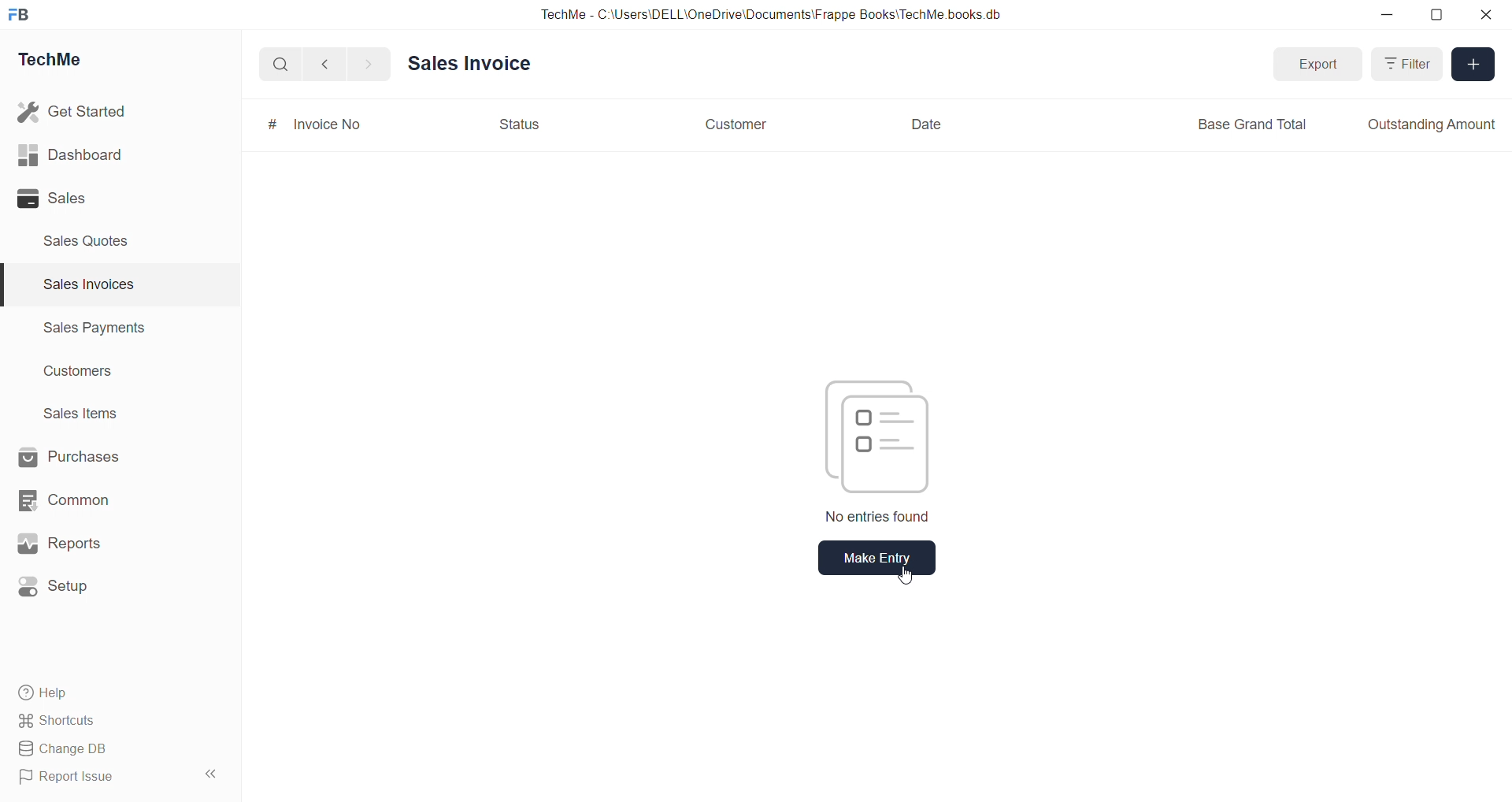 This screenshot has height=802, width=1512. What do you see at coordinates (1318, 65) in the screenshot?
I see `Export` at bounding box center [1318, 65].